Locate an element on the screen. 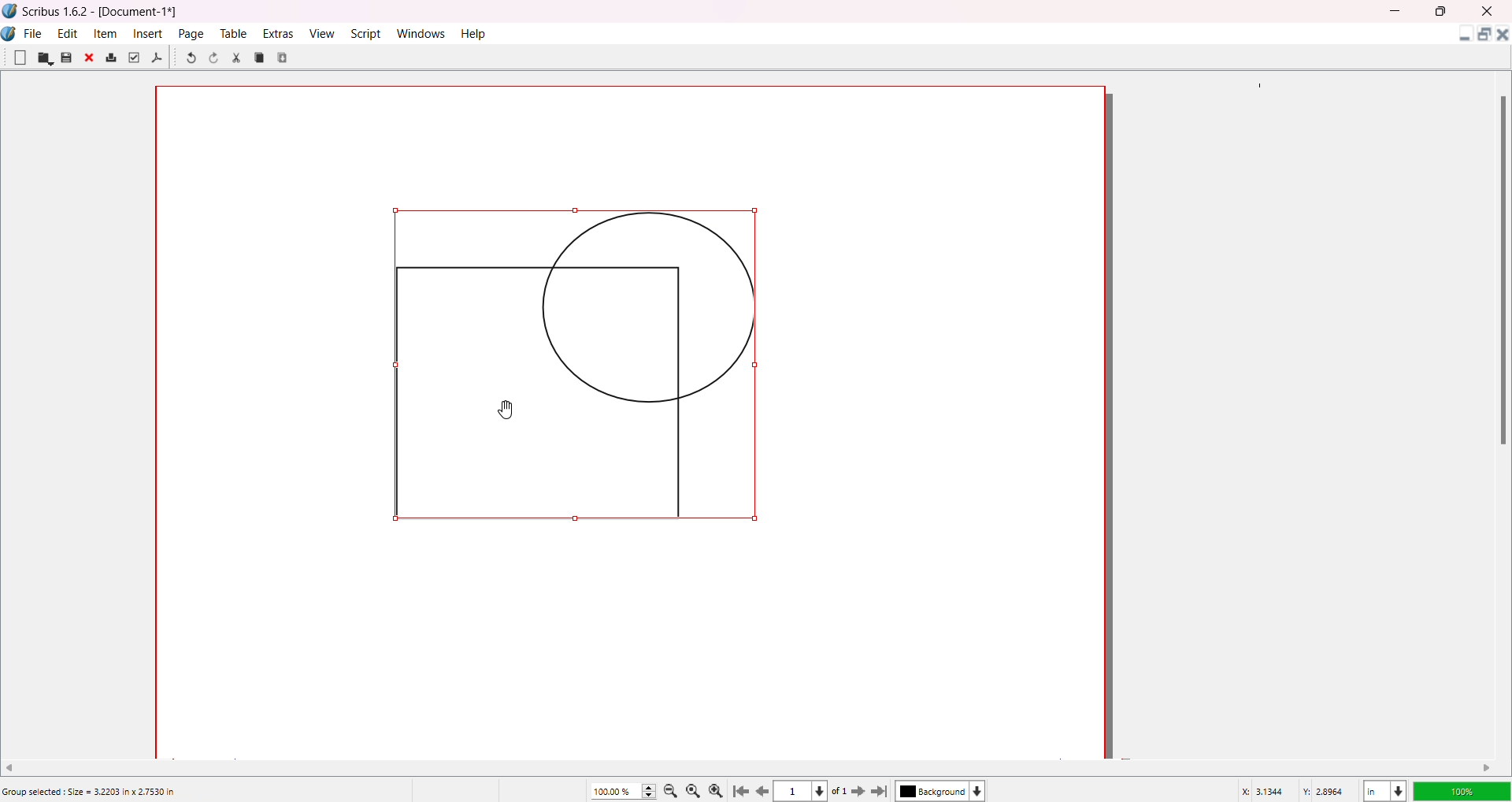 The width and height of the screenshot is (1512, 802). Maximize Document is located at coordinates (1483, 37).